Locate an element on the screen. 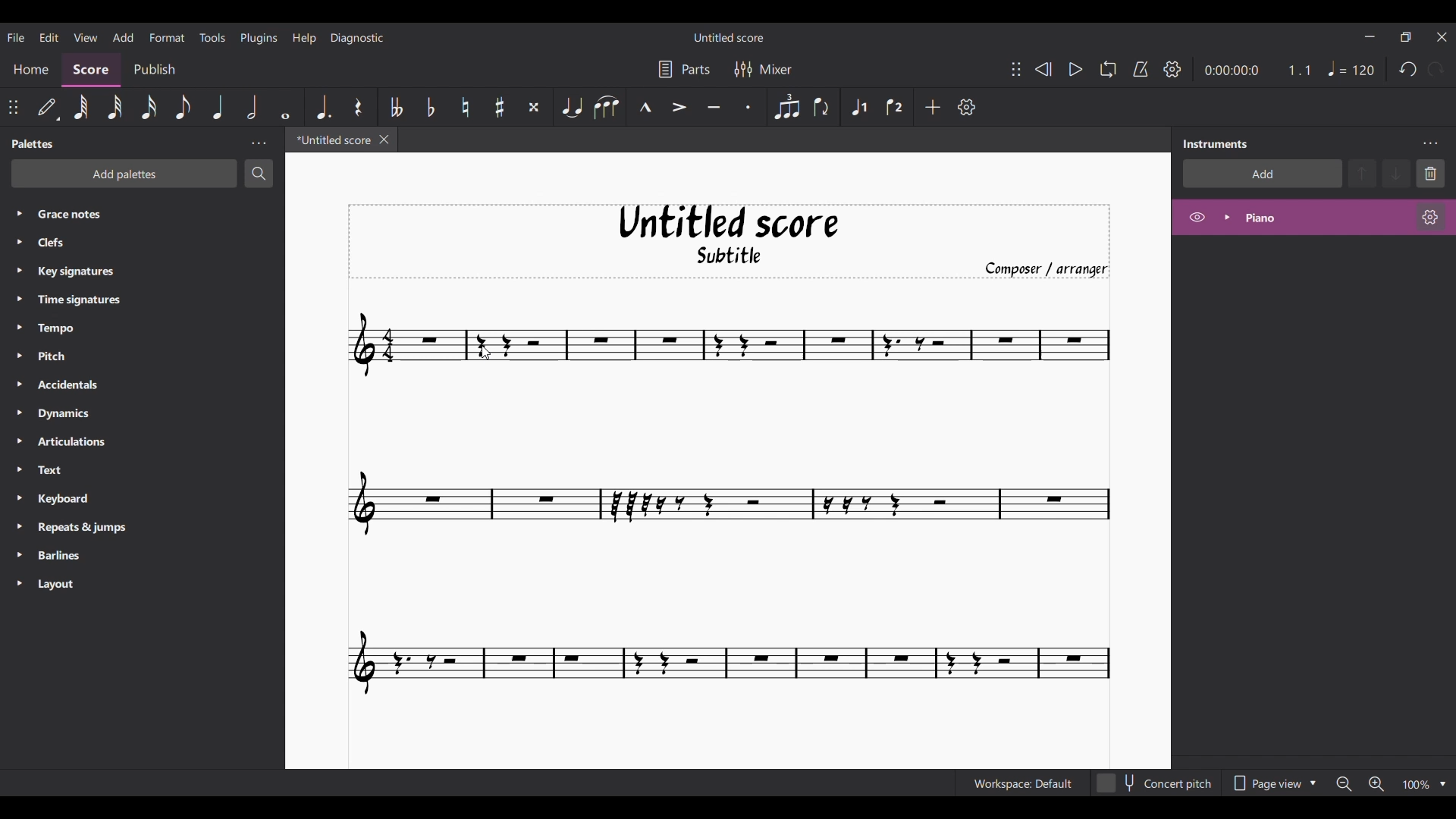 Image resolution: width=1456 pixels, height=819 pixels. Add menu is located at coordinates (124, 37).